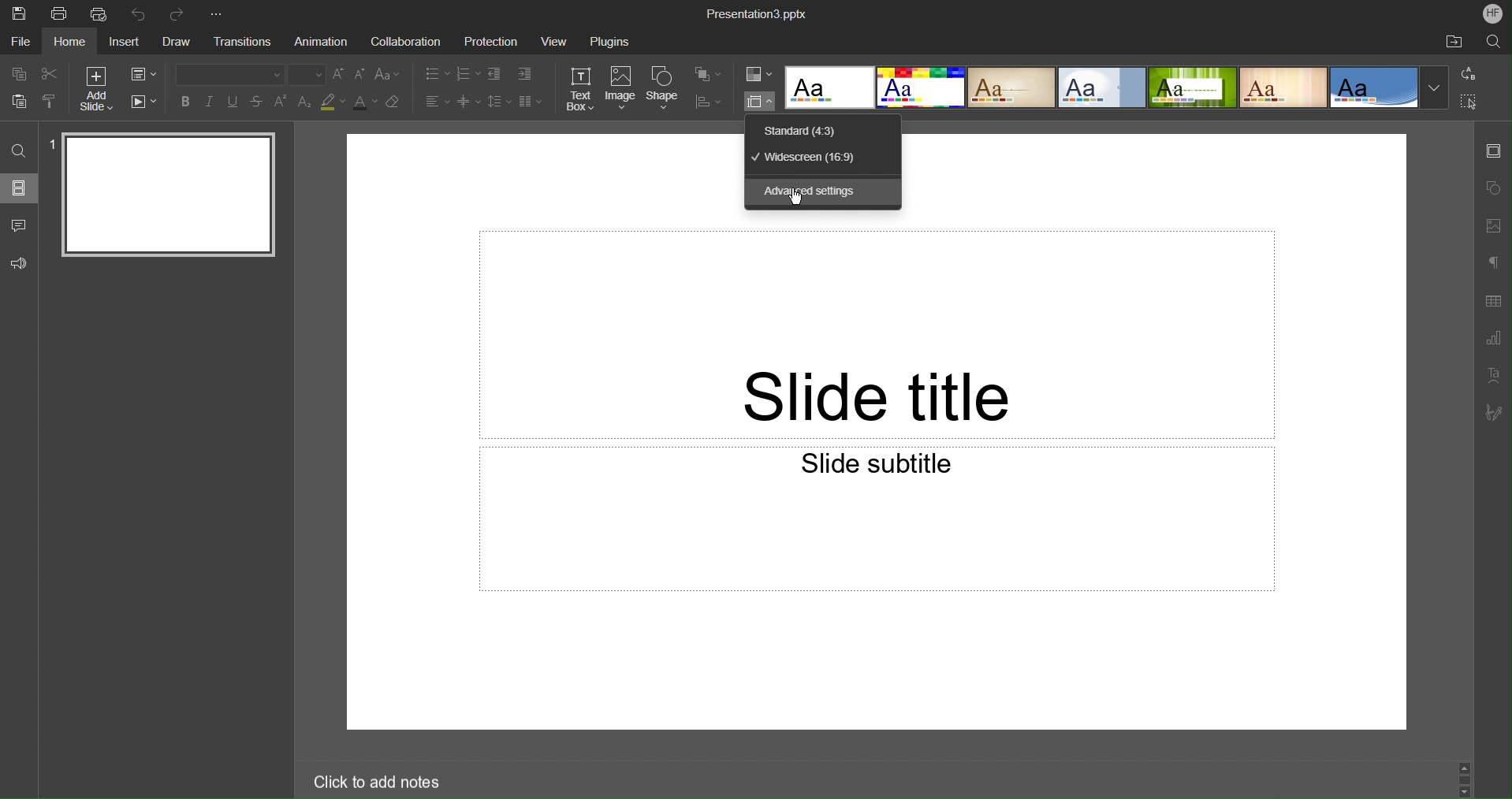 This screenshot has width=1512, height=799. What do you see at coordinates (50, 74) in the screenshot?
I see `Cut` at bounding box center [50, 74].